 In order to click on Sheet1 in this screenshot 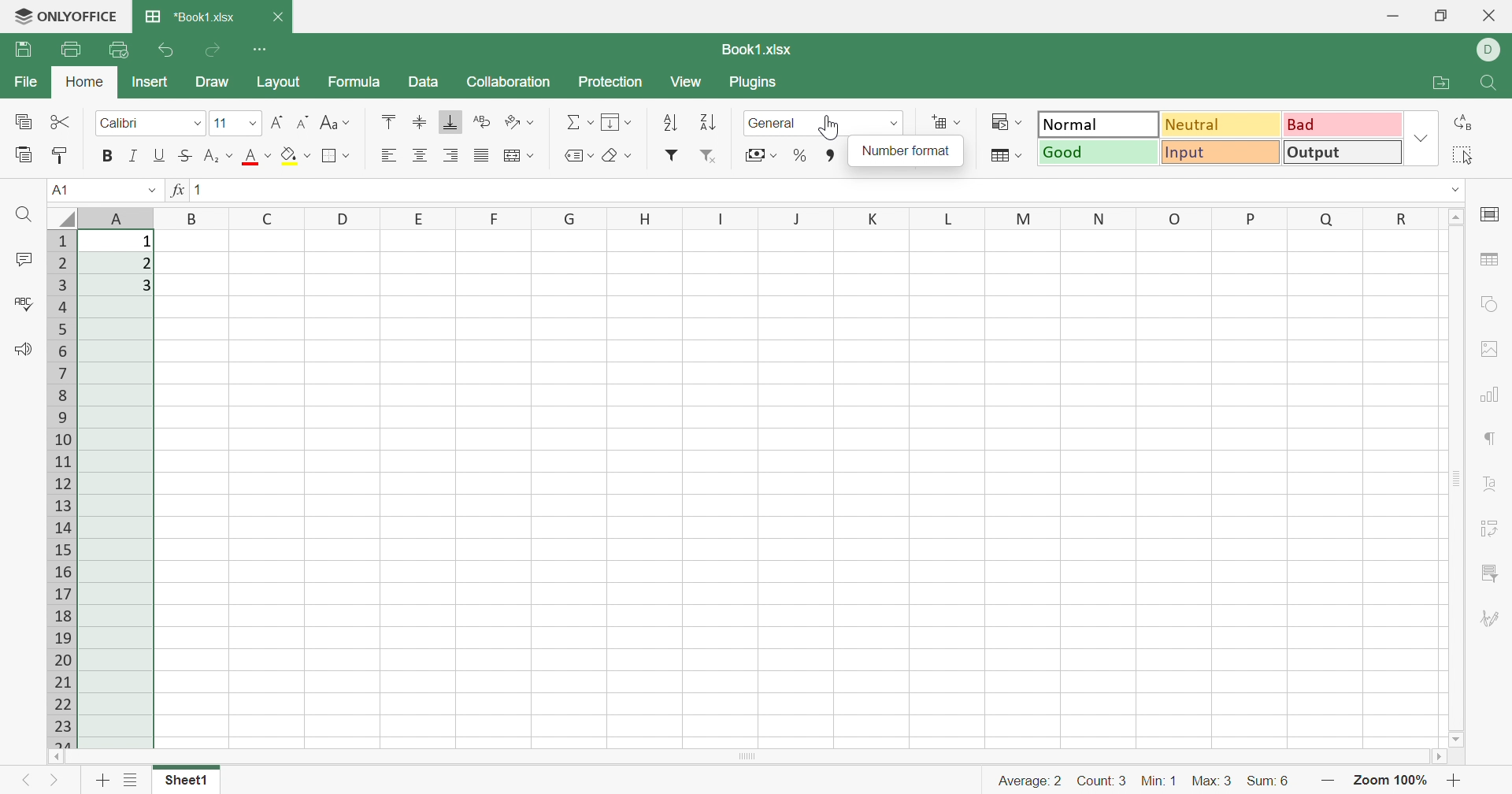, I will do `click(184, 782)`.